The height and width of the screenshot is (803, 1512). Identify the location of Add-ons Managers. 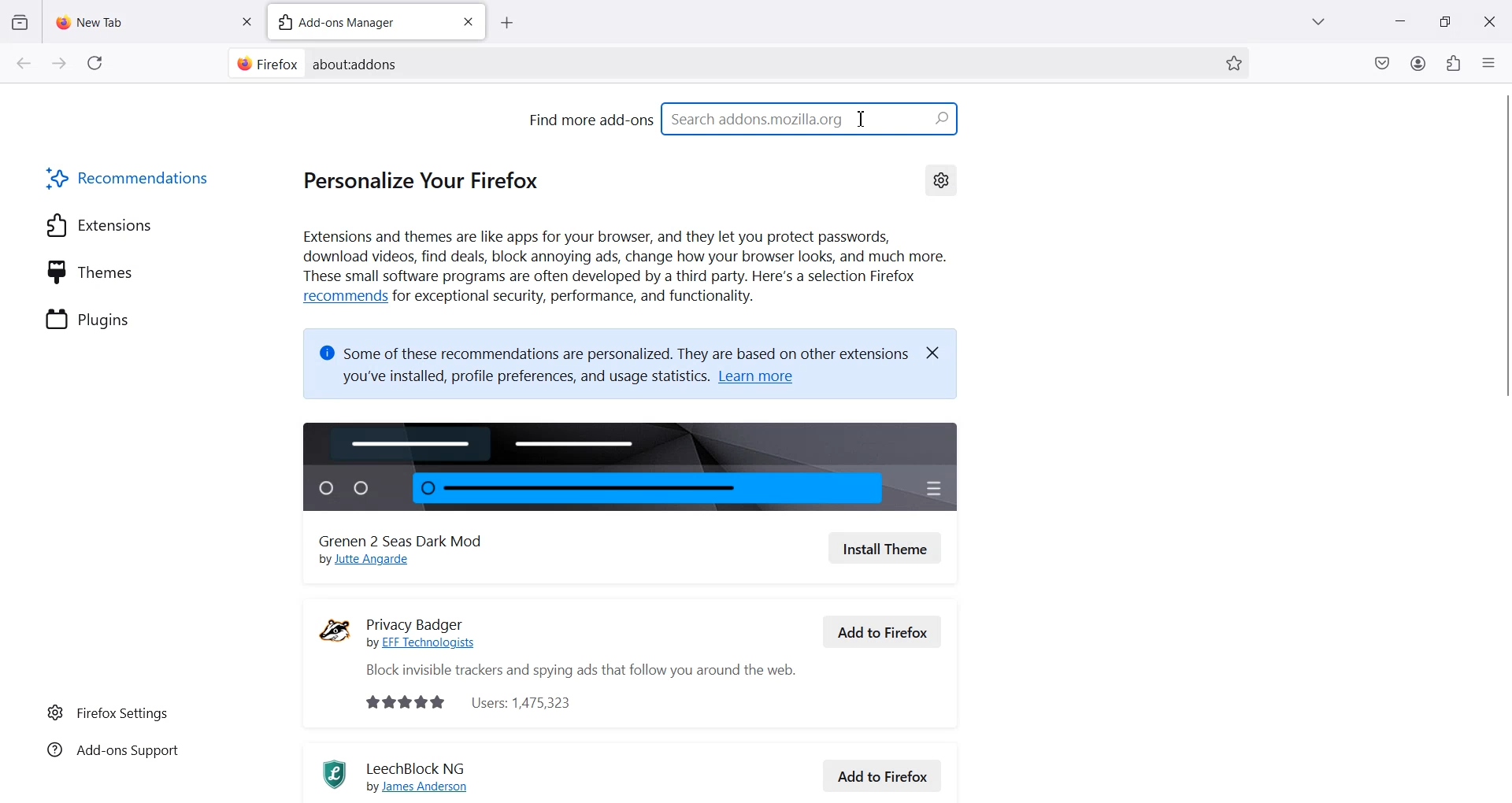
(355, 21).